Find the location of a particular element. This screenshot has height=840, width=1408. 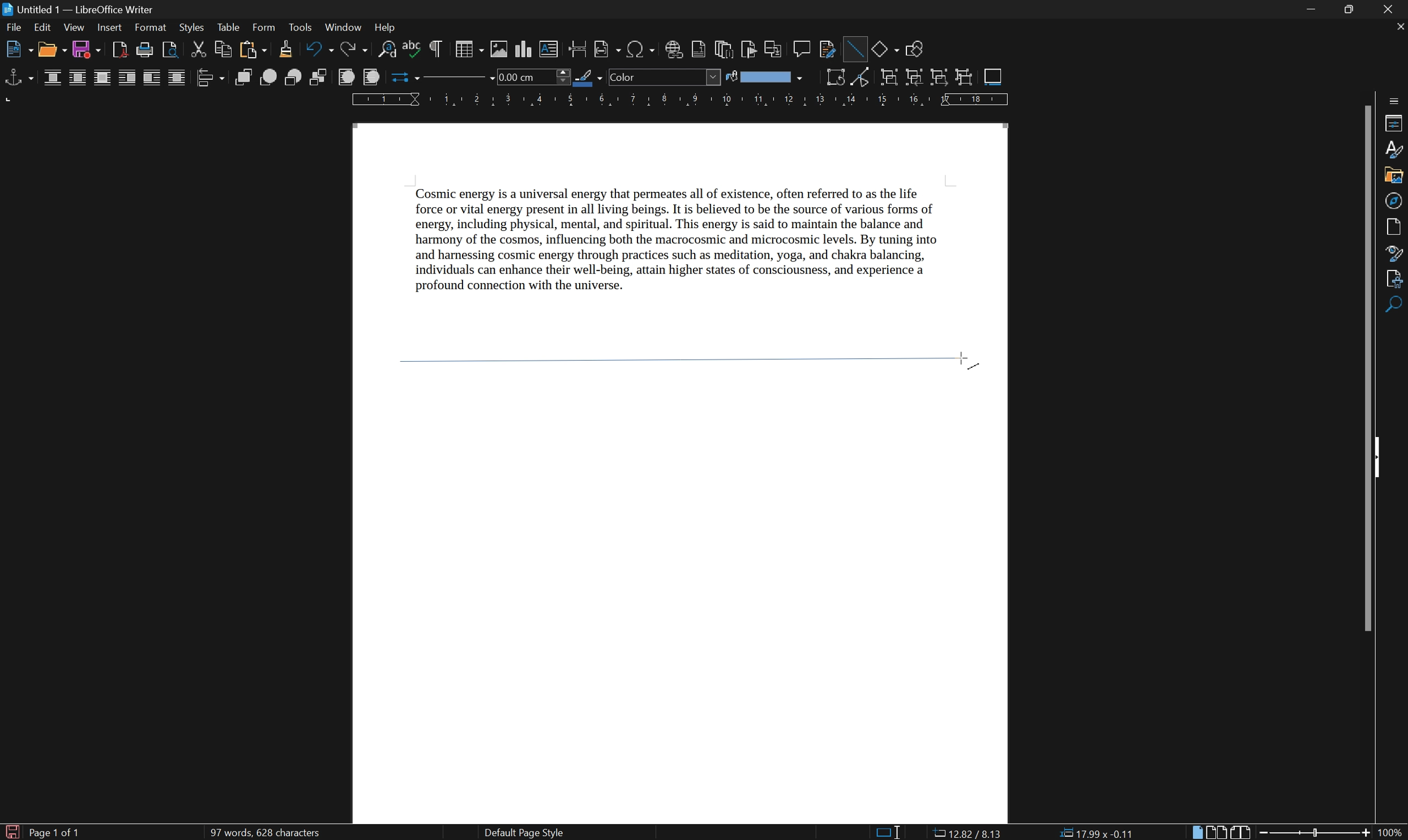

form is located at coordinates (265, 27).